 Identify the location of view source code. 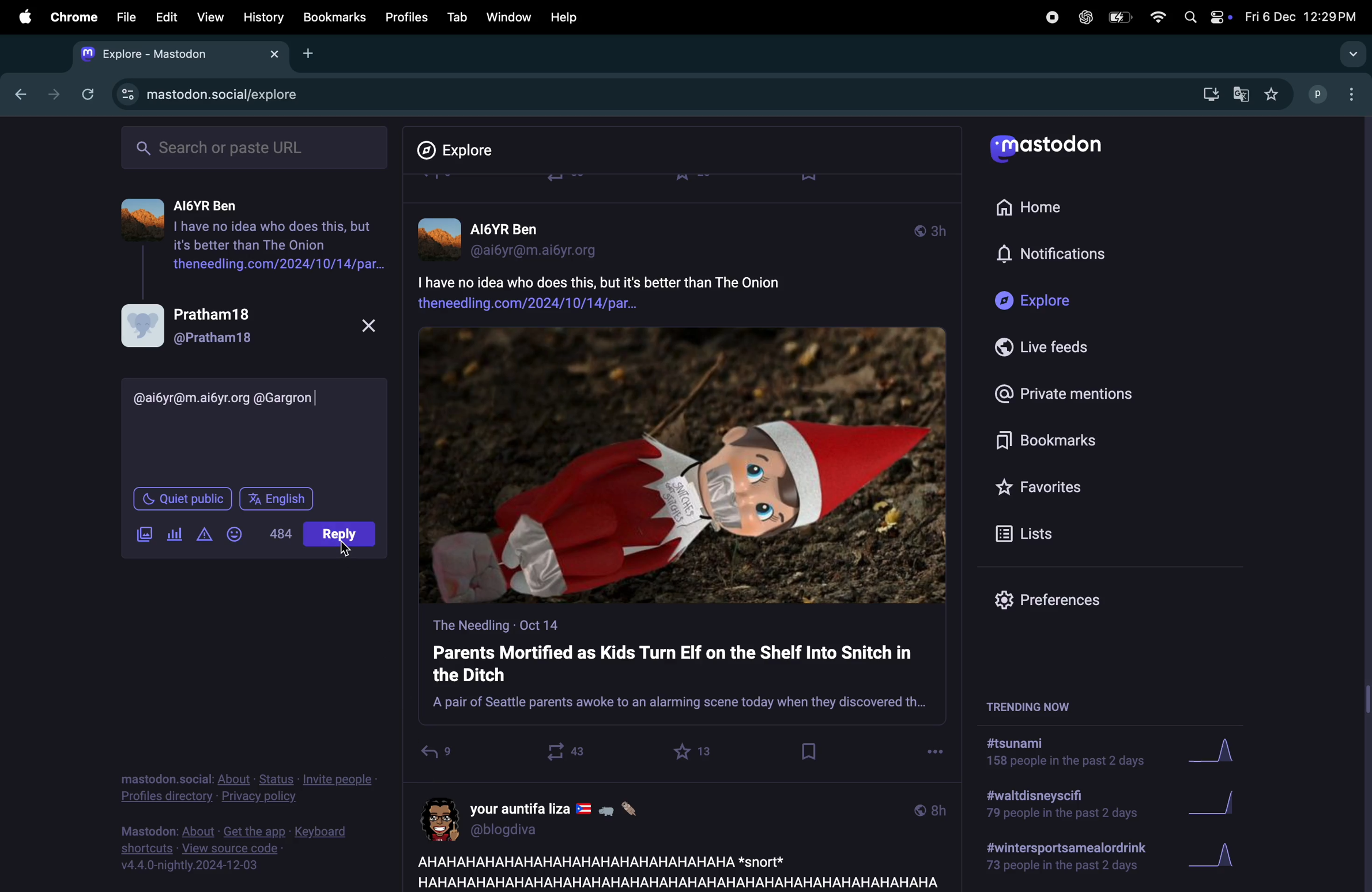
(244, 848).